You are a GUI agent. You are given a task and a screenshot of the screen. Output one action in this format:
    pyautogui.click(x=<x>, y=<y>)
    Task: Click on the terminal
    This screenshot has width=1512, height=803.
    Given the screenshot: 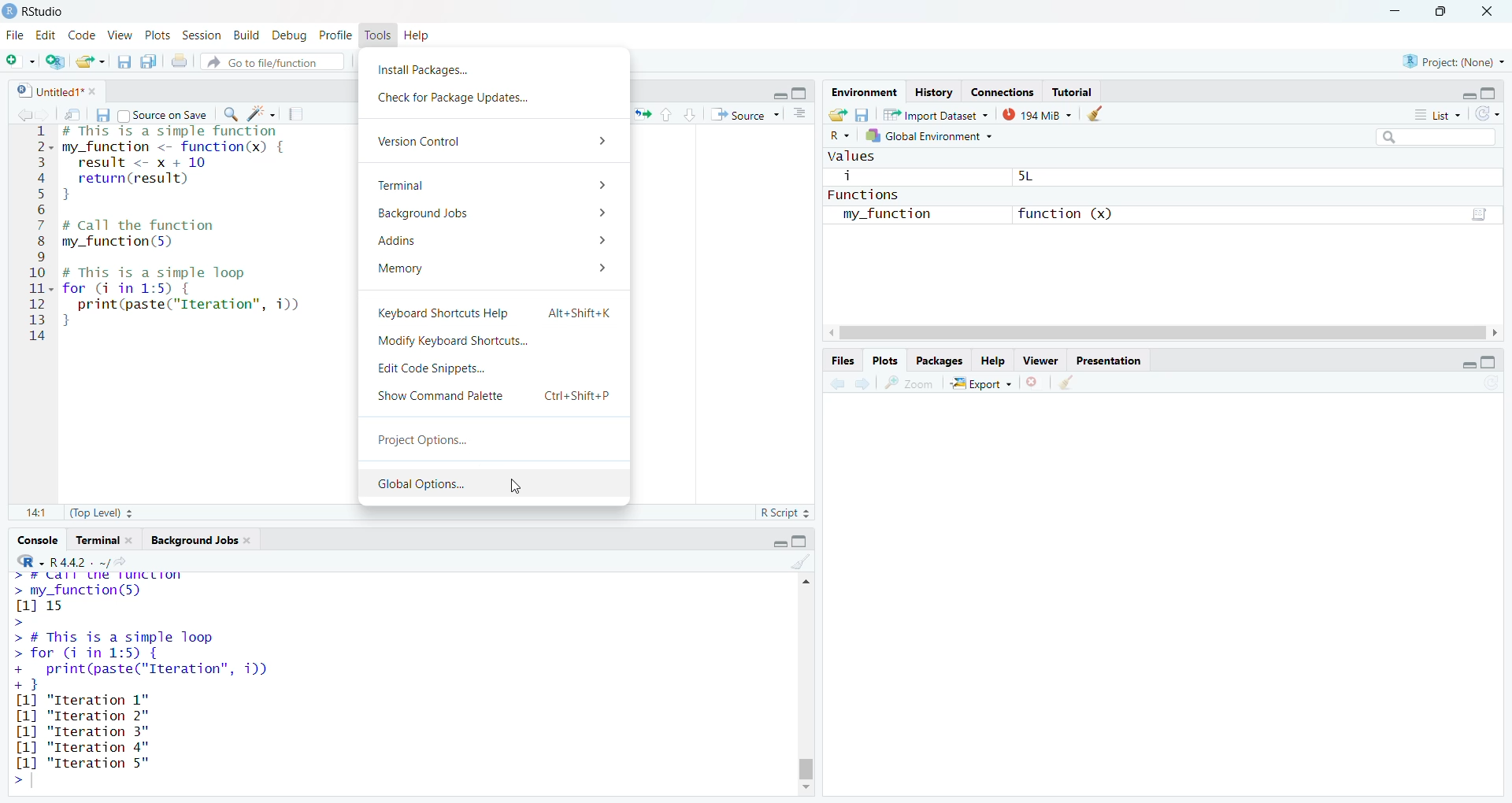 What is the action you would take?
    pyautogui.click(x=96, y=540)
    